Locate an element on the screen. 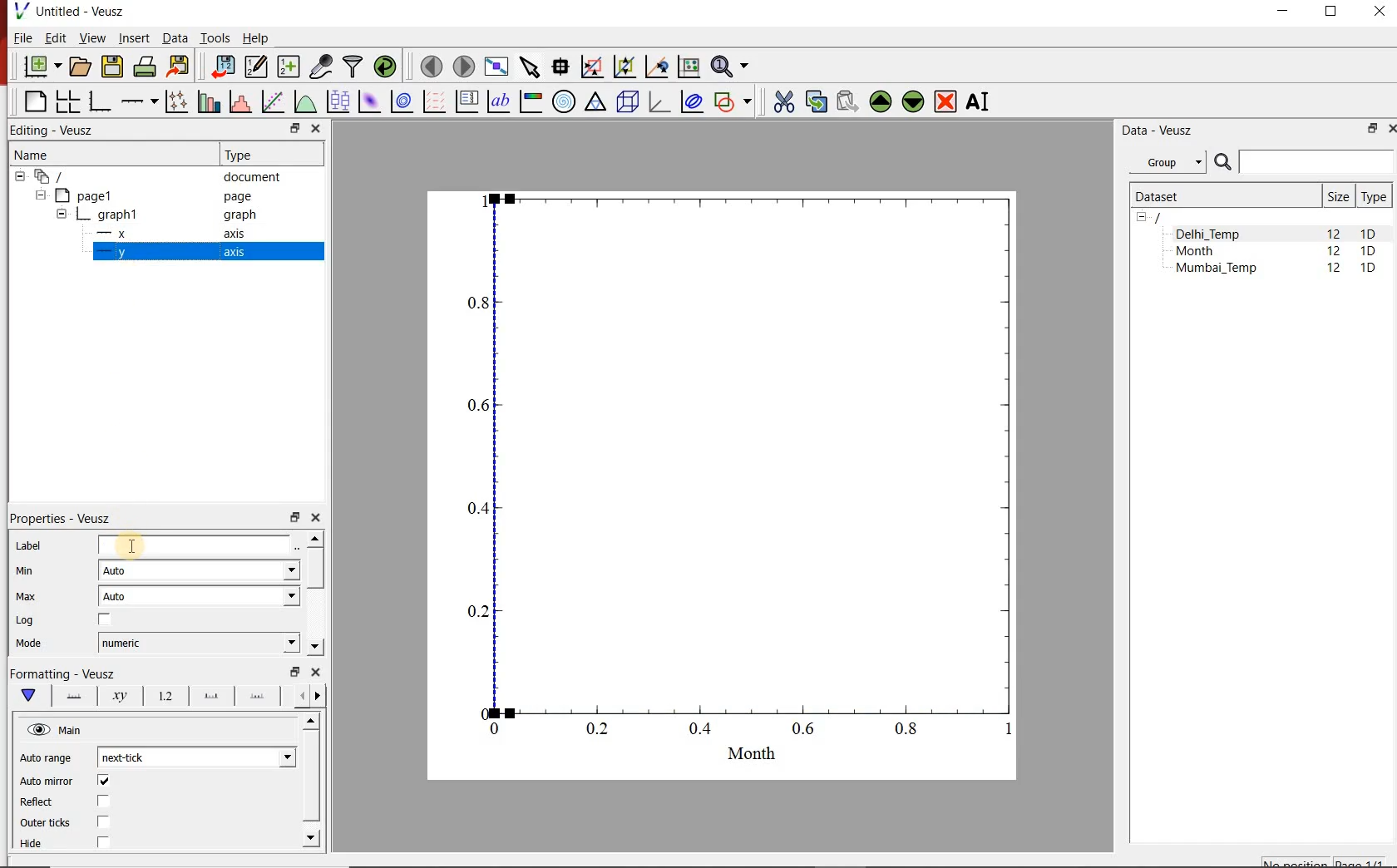  12 is located at coordinates (1334, 253).